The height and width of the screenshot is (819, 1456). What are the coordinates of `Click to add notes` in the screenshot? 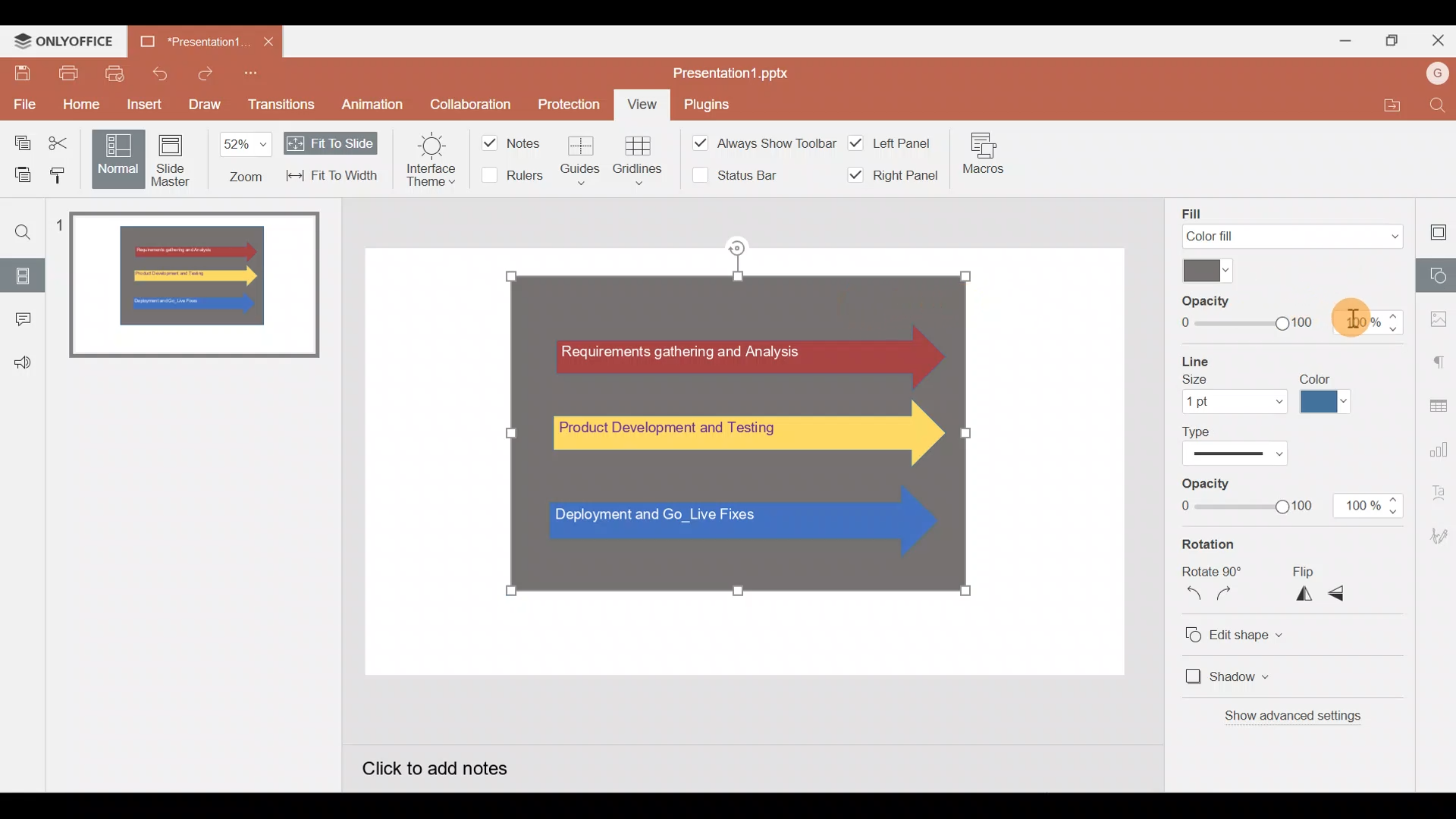 It's located at (452, 766).